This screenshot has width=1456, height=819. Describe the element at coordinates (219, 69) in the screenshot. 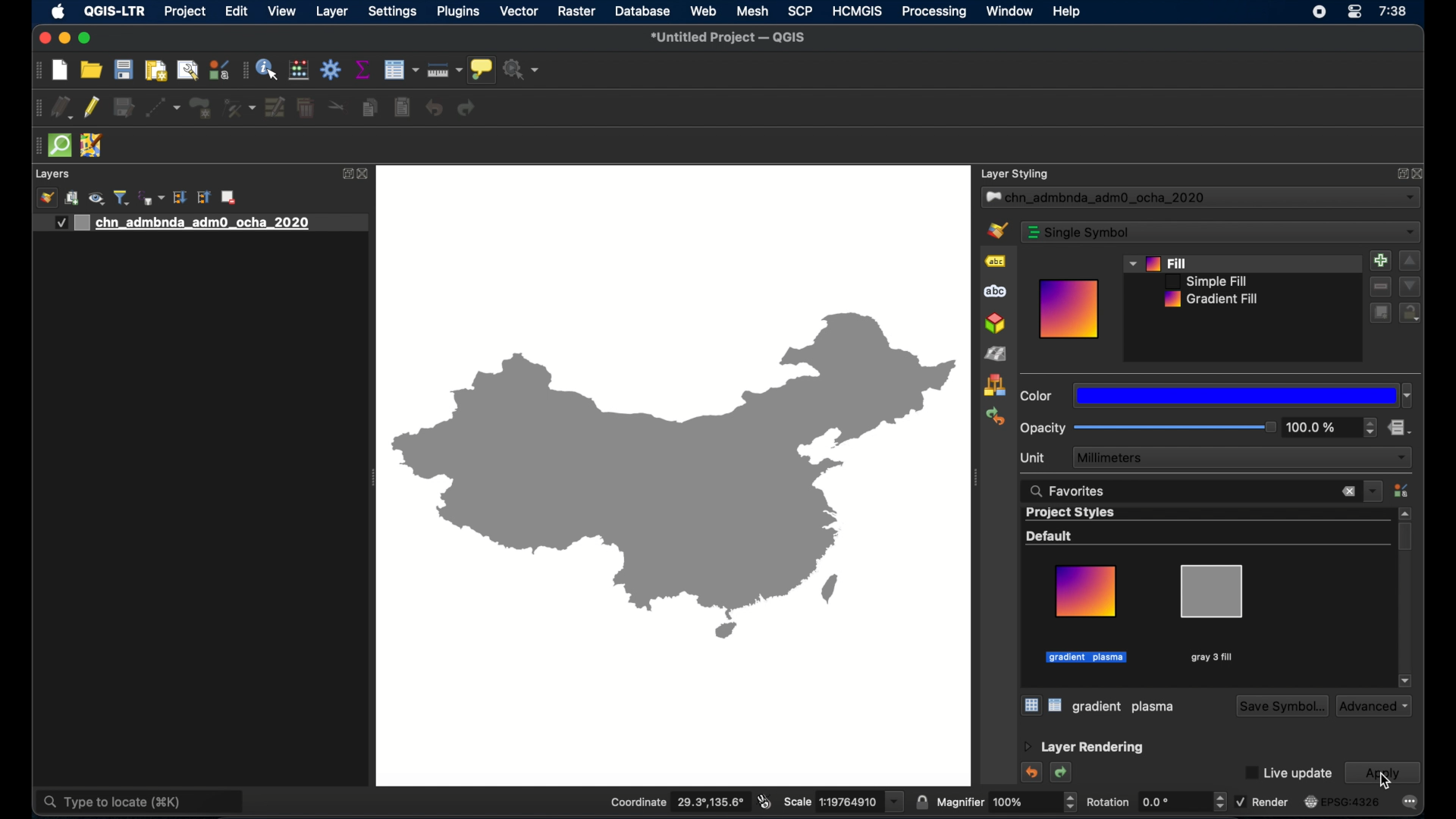

I see `style manager` at that location.